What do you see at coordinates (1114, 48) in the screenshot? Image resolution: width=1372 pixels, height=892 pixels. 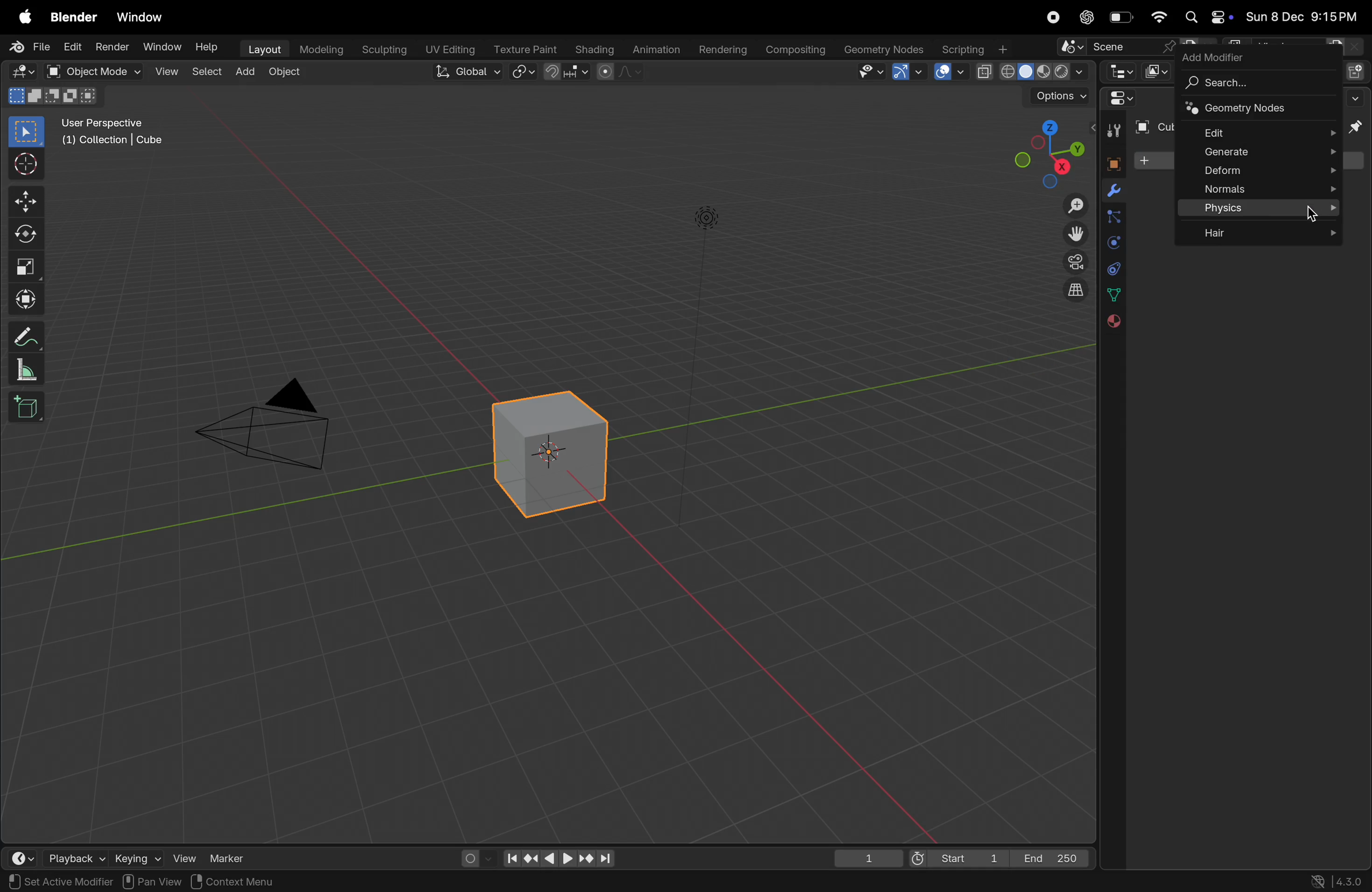 I see `pin scene` at bounding box center [1114, 48].